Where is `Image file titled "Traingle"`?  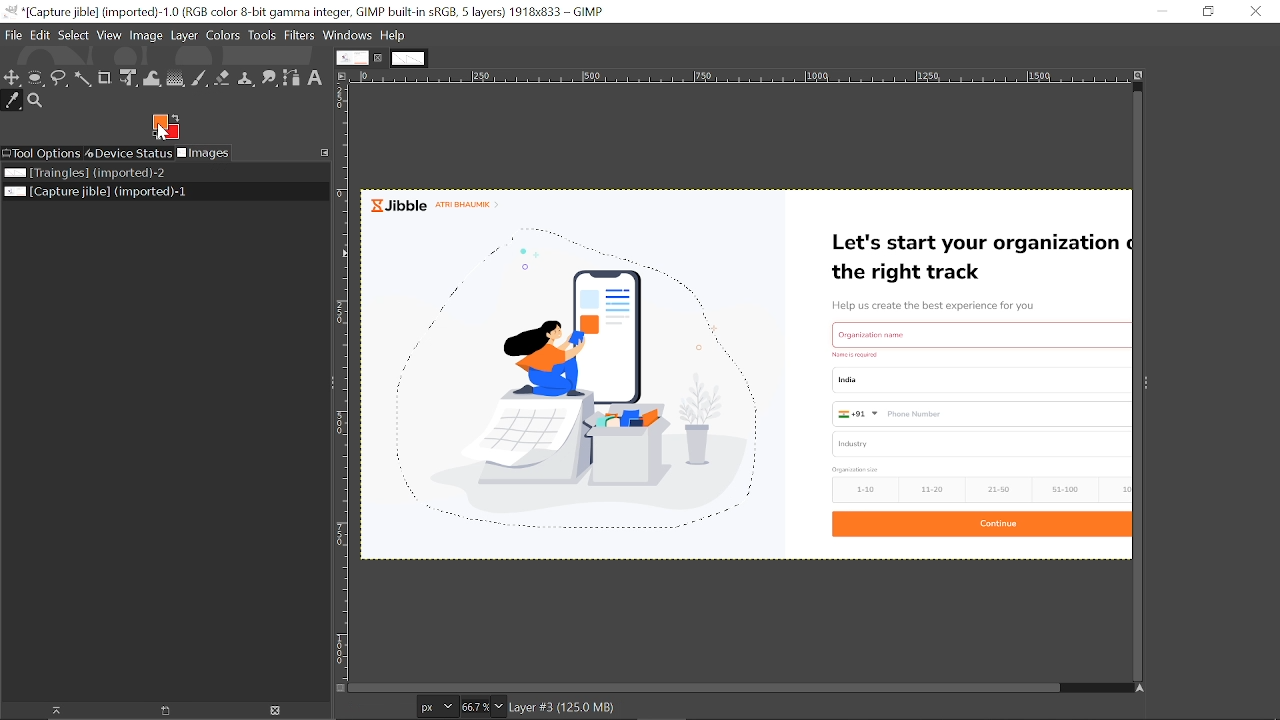
Image file titled "Traingle" is located at coordinates (158, 172).